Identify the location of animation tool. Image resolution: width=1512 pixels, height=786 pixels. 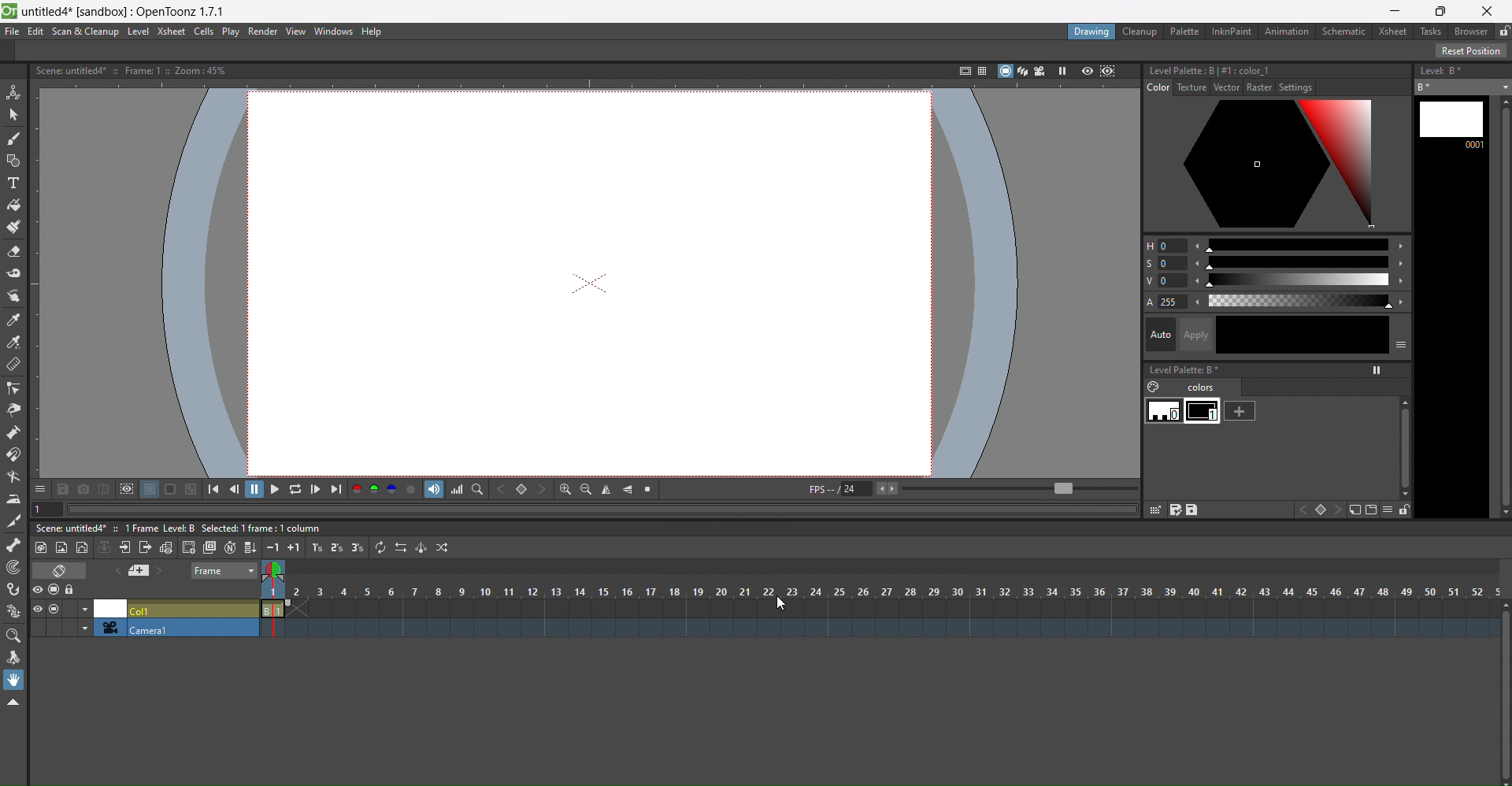
(14, 93).